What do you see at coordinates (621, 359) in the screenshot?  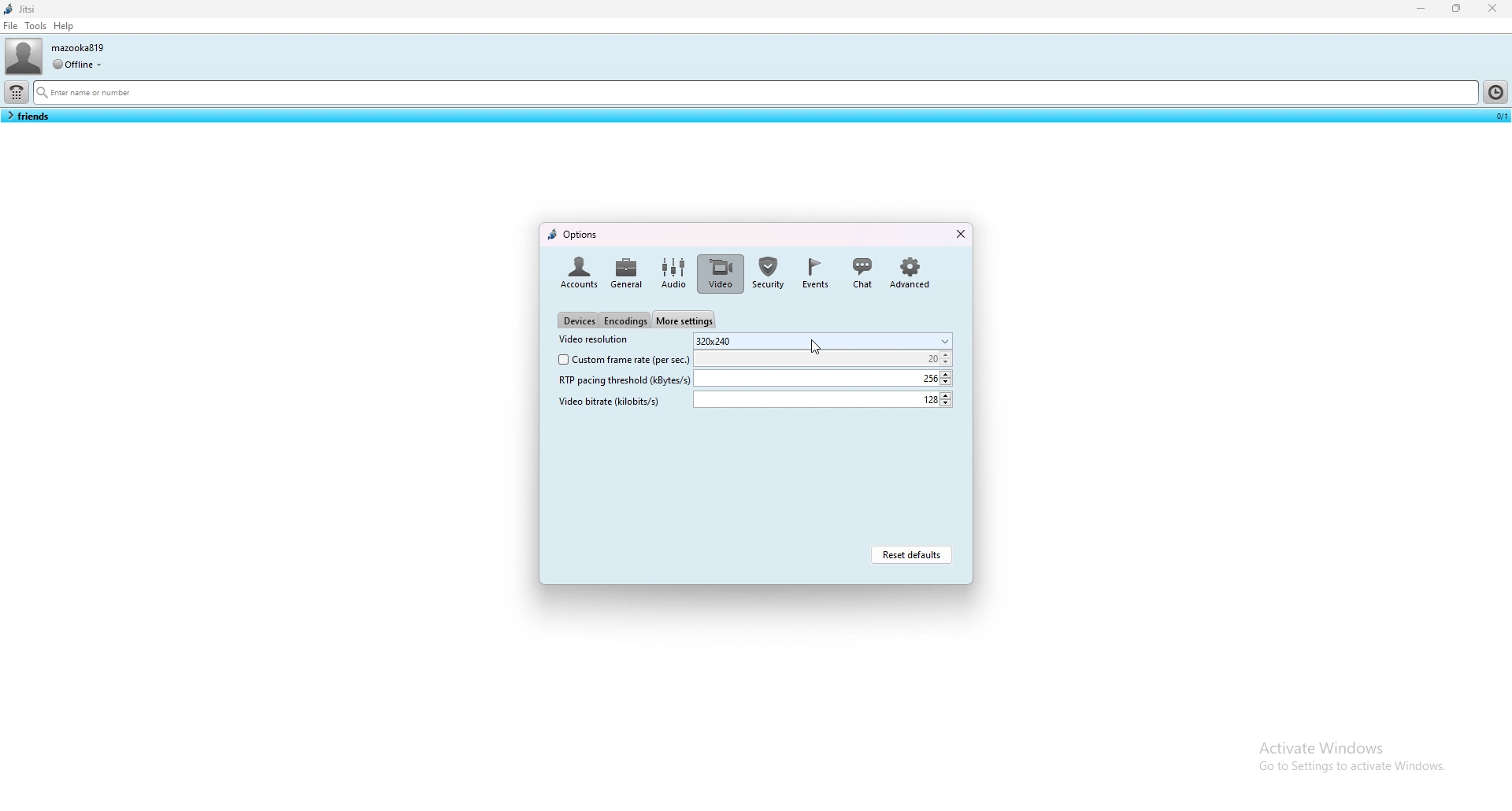 I see `custom frame rate` at bounding box center [621, 359].